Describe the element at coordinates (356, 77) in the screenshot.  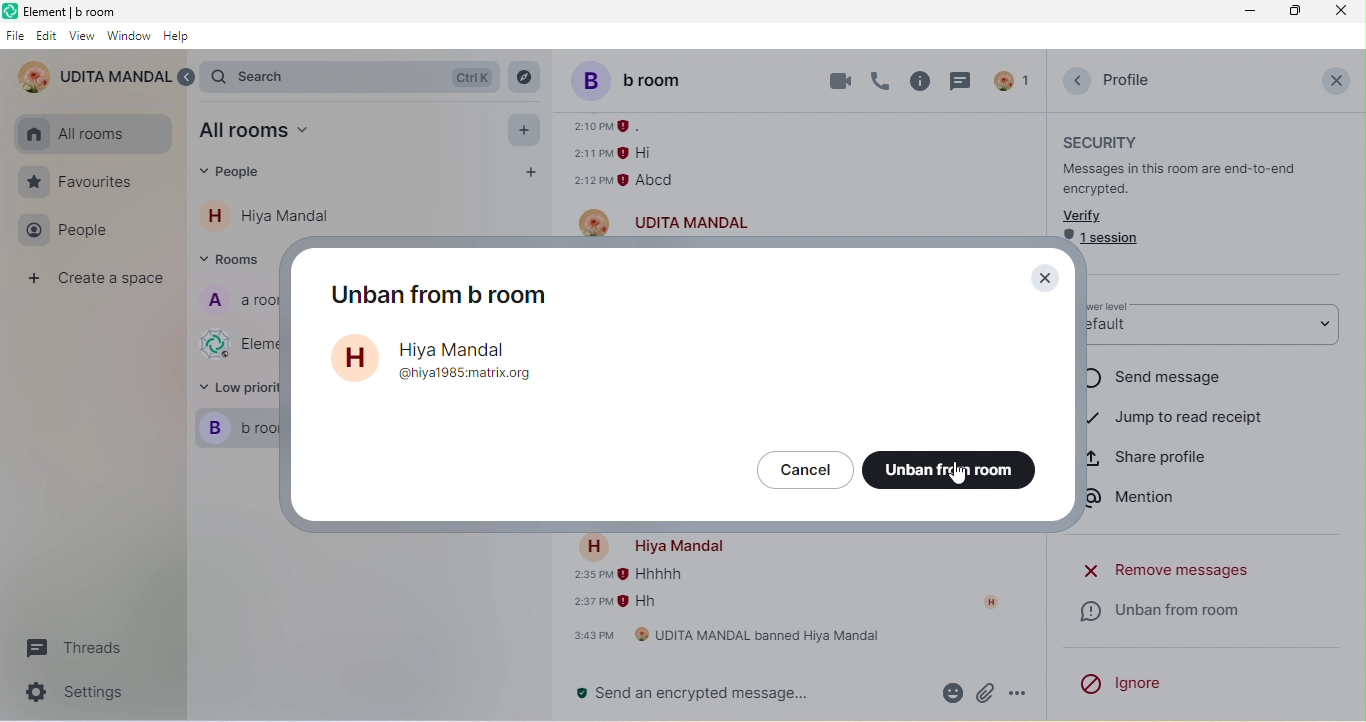
I see `search` at that location.